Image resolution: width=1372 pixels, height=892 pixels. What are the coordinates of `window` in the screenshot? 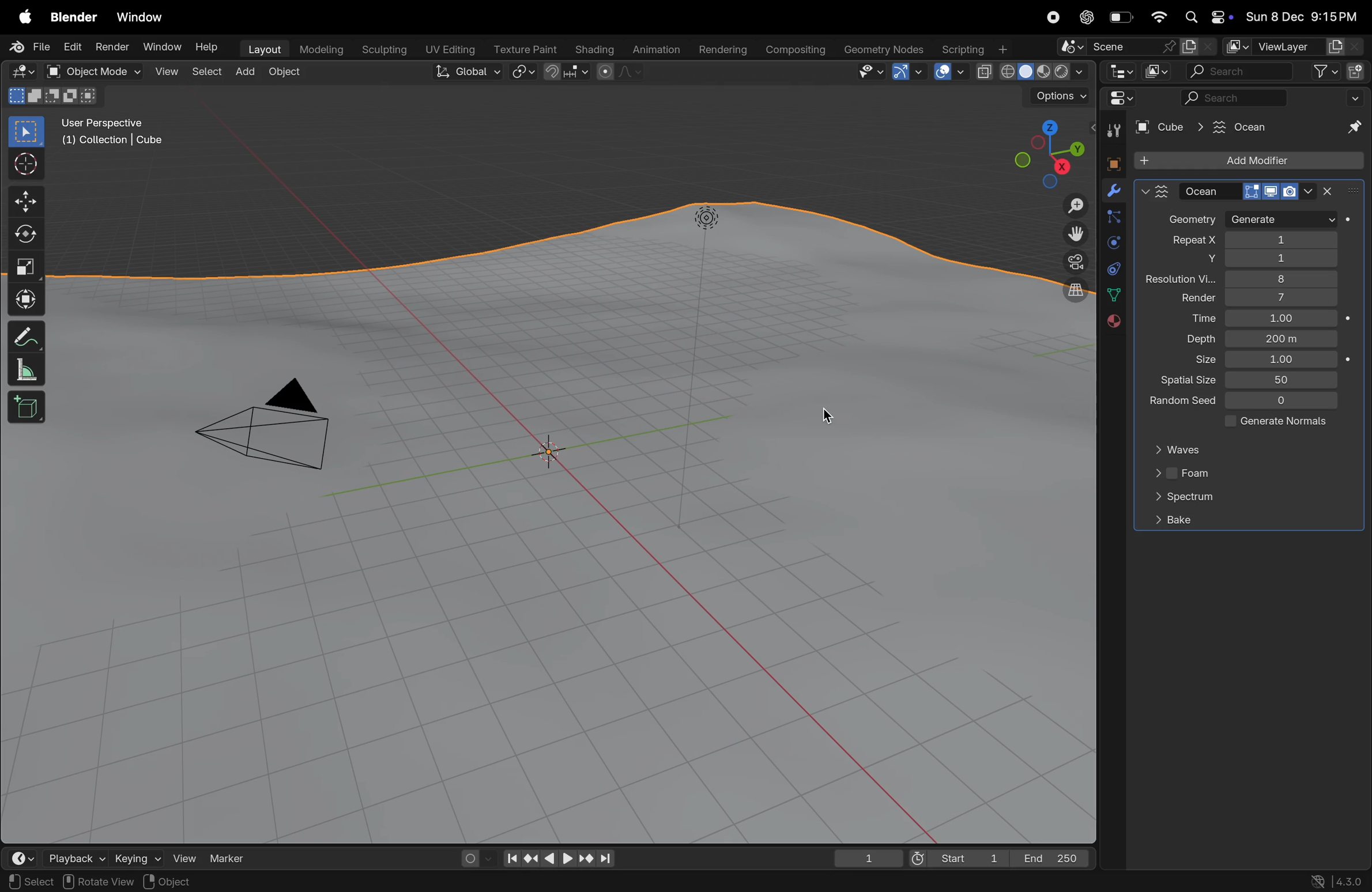 It's located at (160, 47).